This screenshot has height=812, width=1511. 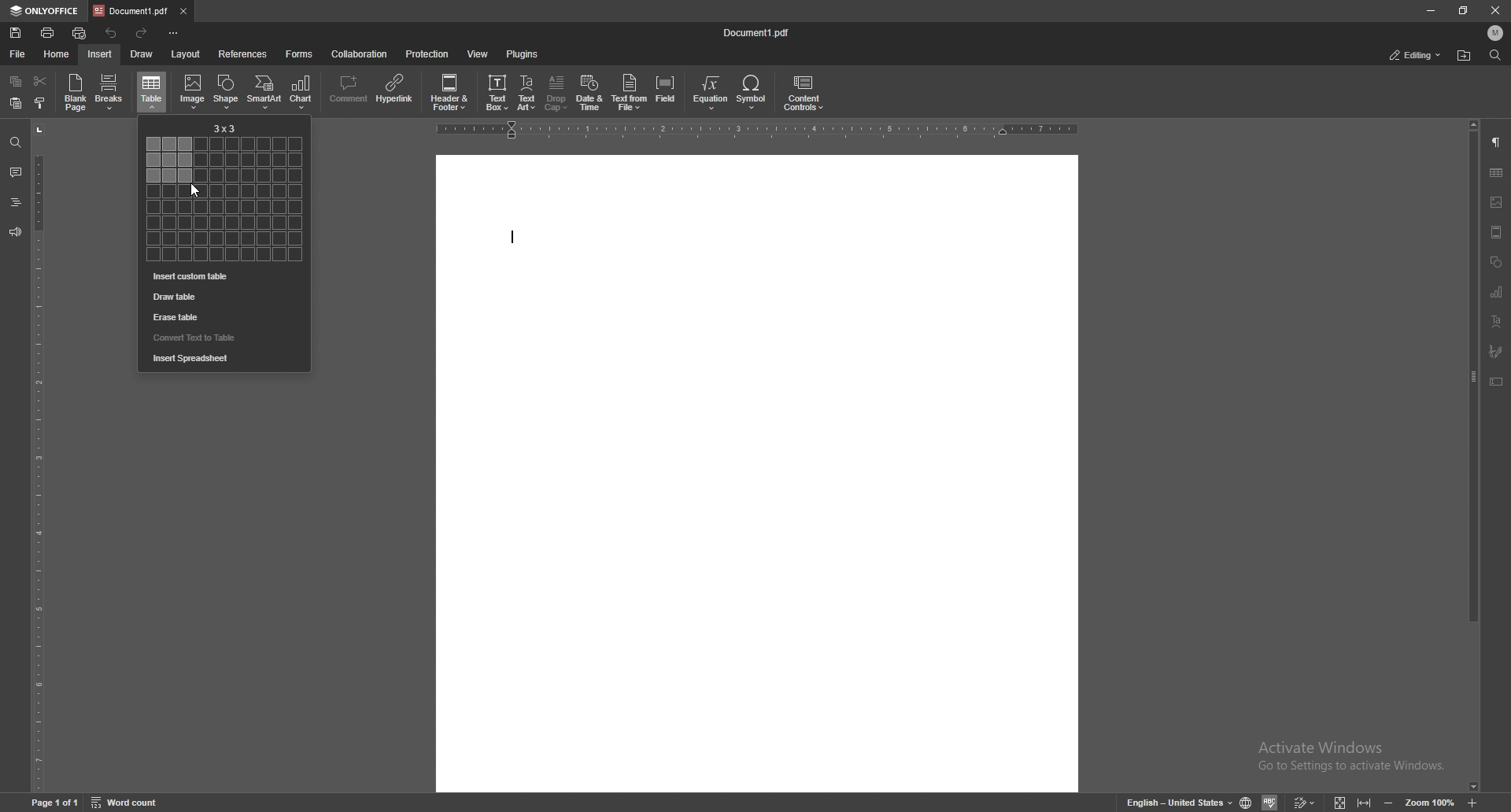 I want to click on zoom, so click(x=1429, y=801).